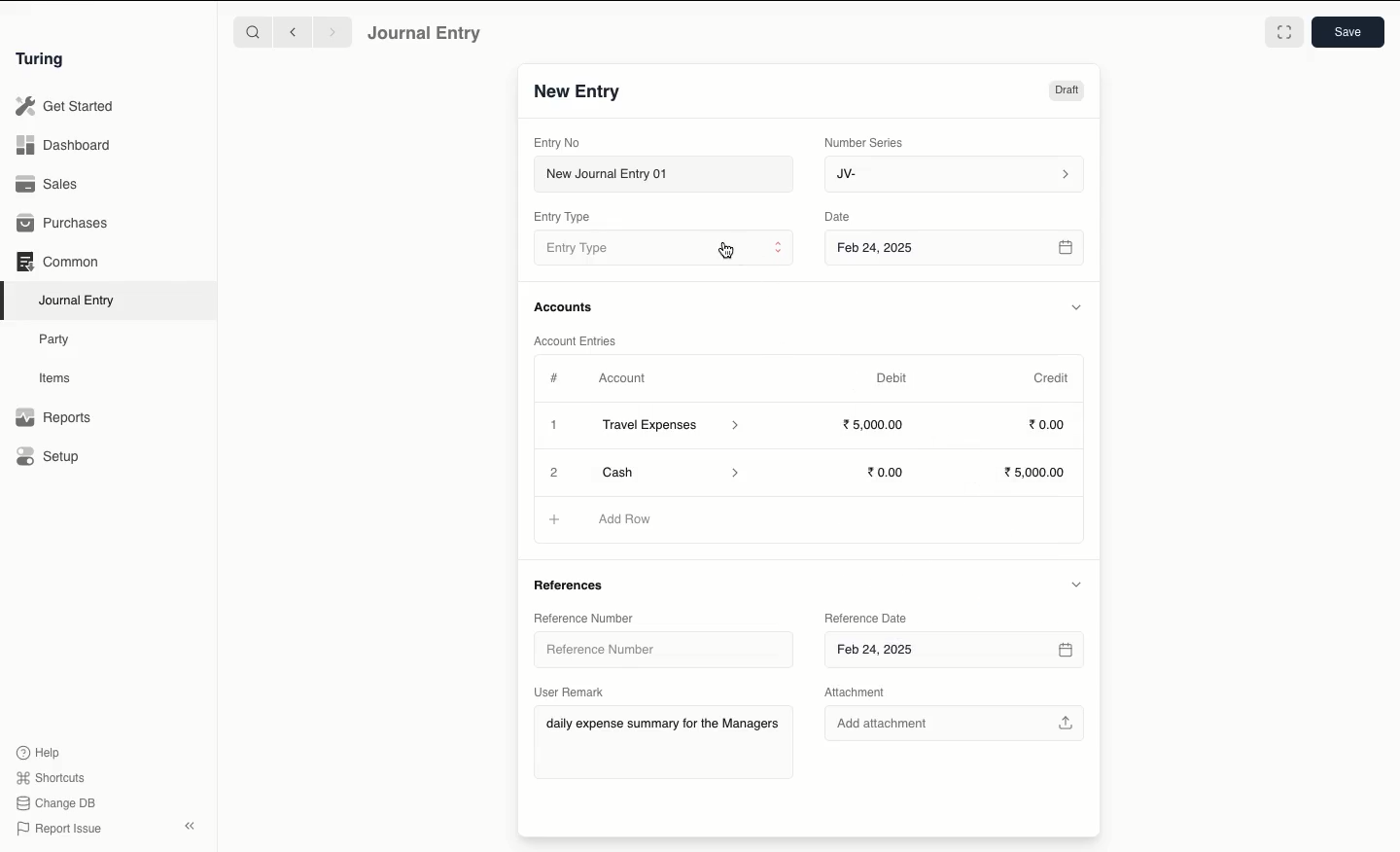  What do you see at coordinates (1039, 473) in the screenshot?
I see `5,000.00` at bounding box center [1039, 473].